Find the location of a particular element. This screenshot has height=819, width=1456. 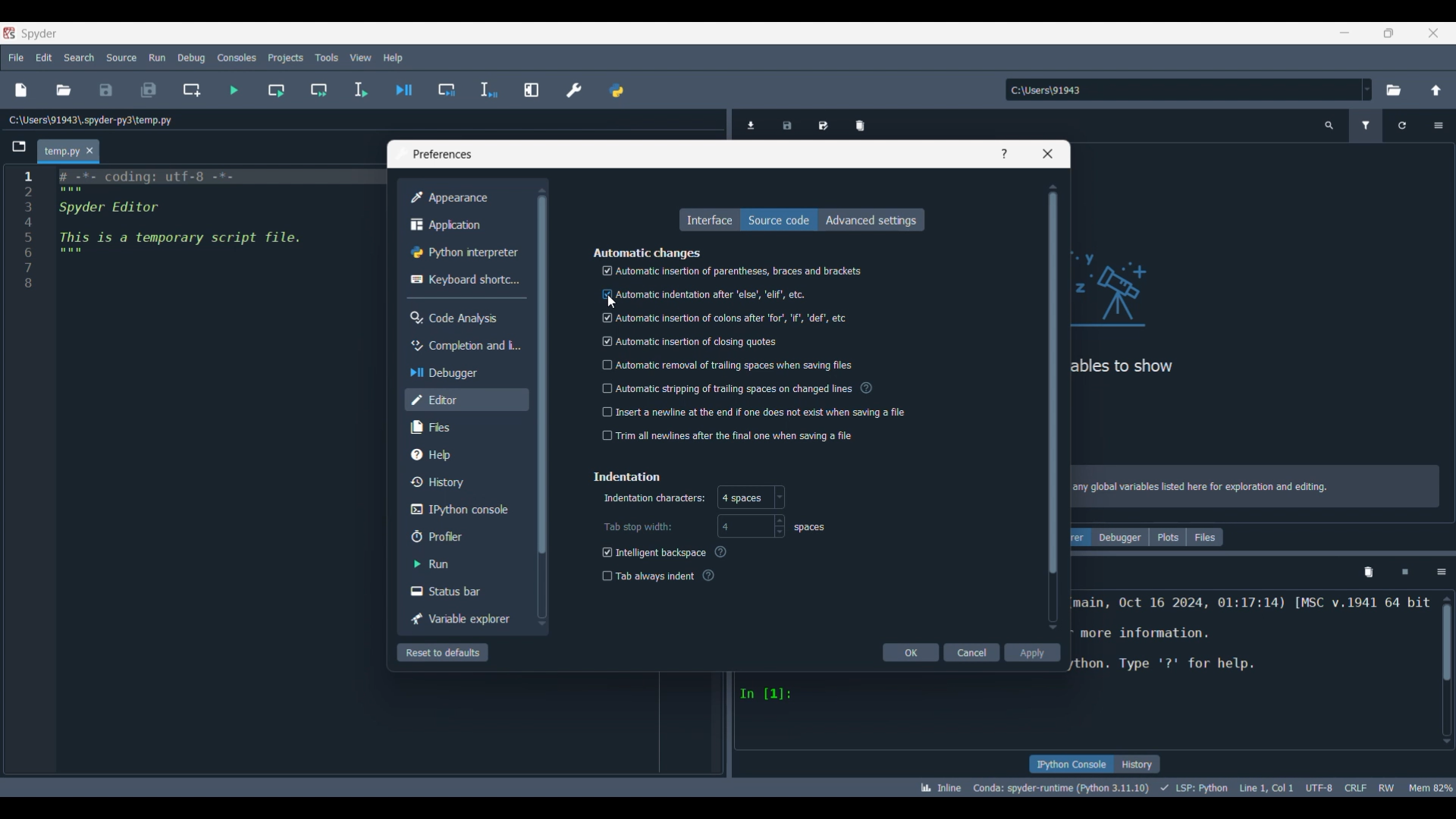

‘Automatic insertion of closing quotes is located at coordinates (690, 340).